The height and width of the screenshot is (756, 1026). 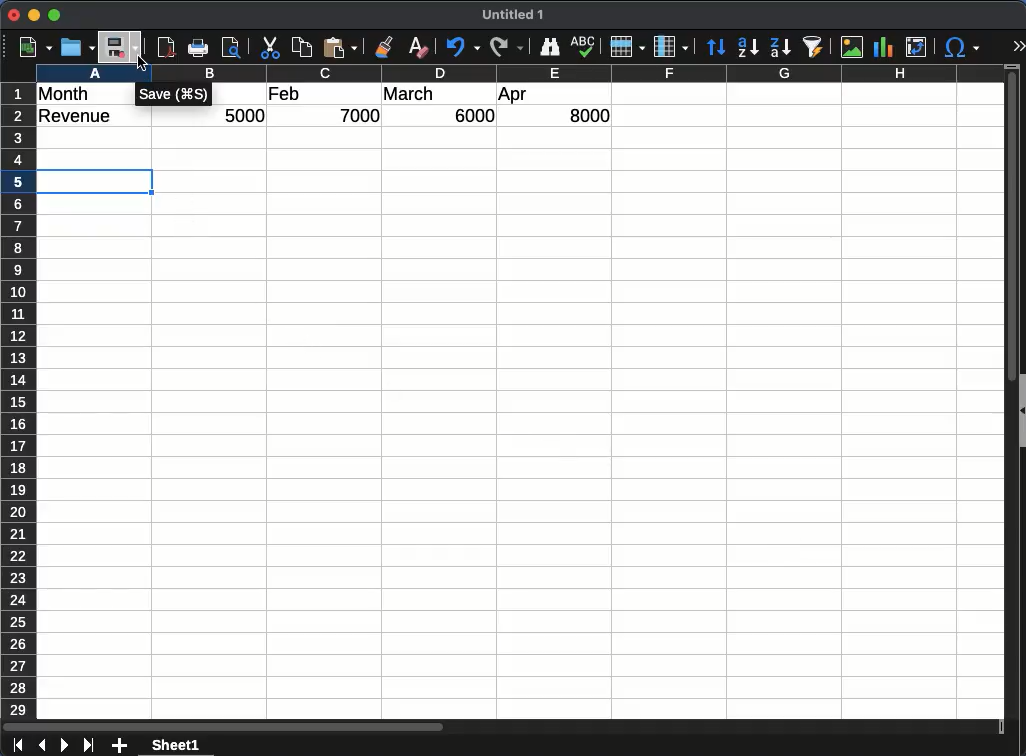 What do you see at coordinates (76, 48) in the screenshot?
I see `open` at bounding box center [76, 48].